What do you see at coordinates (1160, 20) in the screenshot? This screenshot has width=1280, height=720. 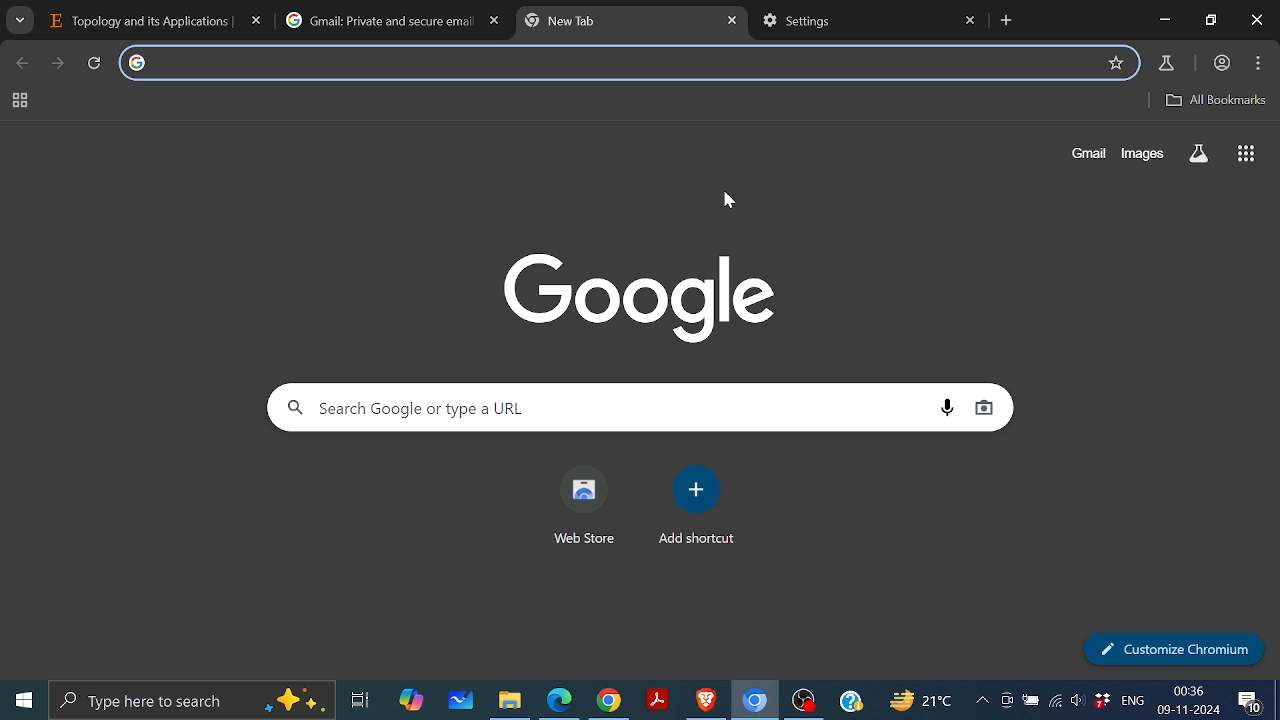 I see `Minimize` at bounding box center [1160, 20].